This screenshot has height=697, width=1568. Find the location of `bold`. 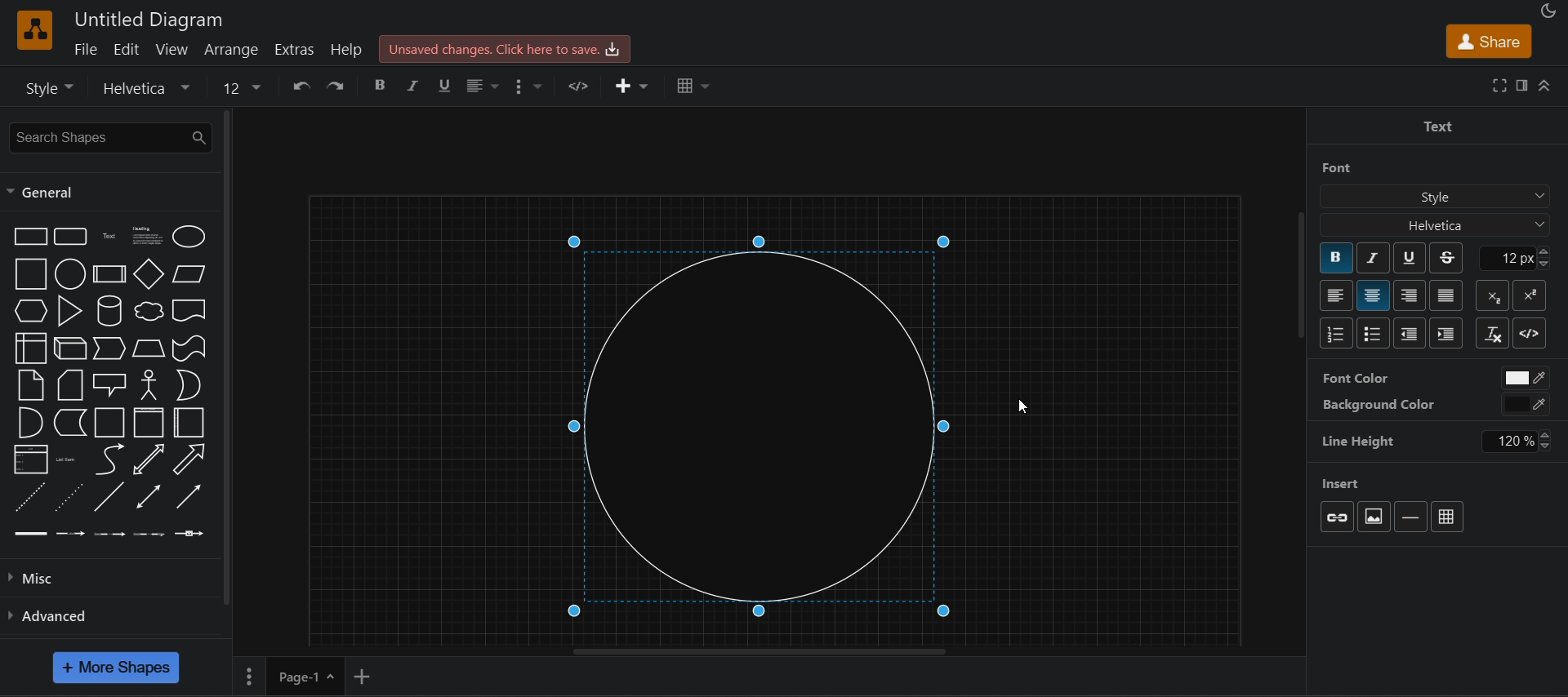

bold is located at coordinates (1338, 255).